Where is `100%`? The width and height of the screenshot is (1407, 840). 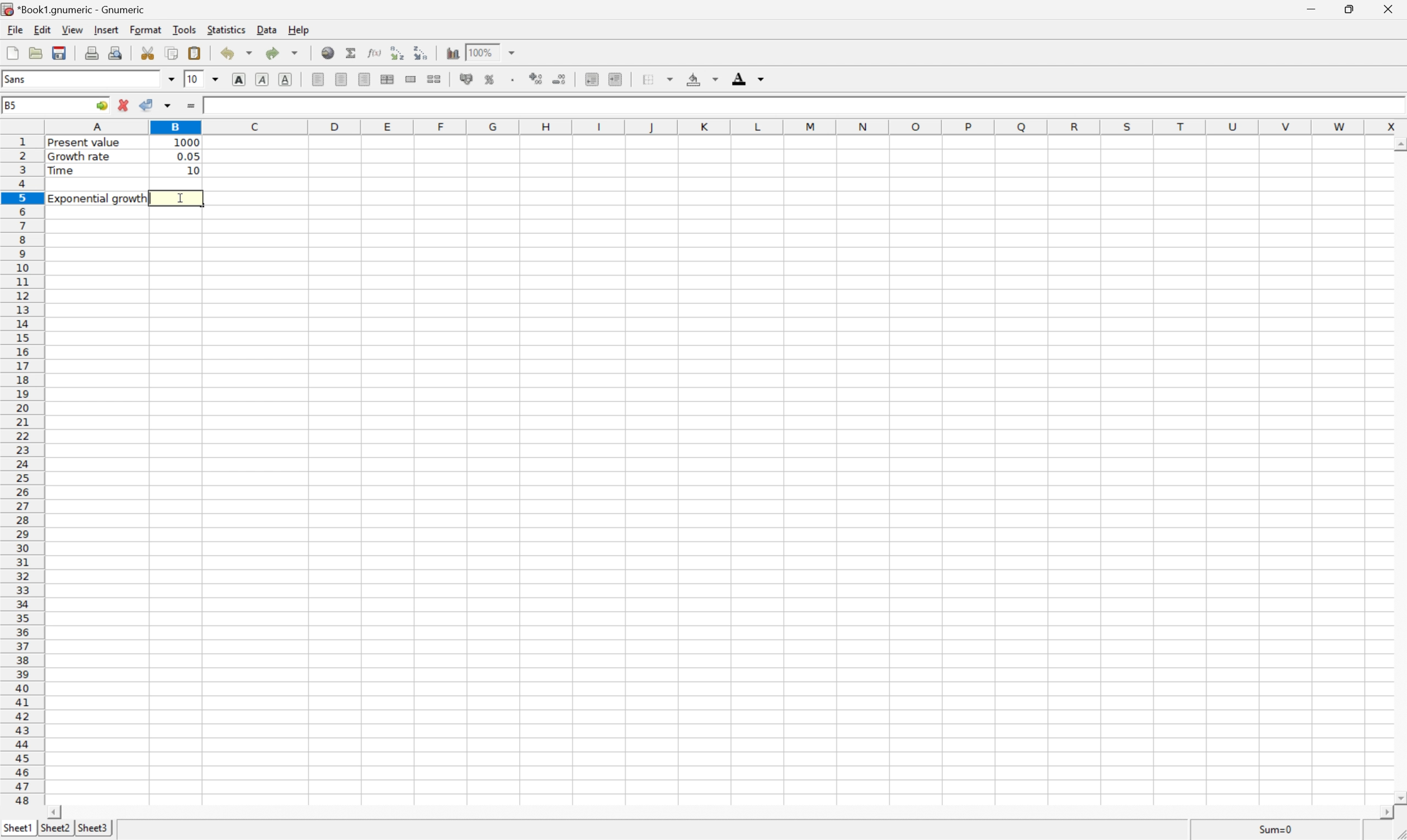 100% is located at coordinates (483, 53).